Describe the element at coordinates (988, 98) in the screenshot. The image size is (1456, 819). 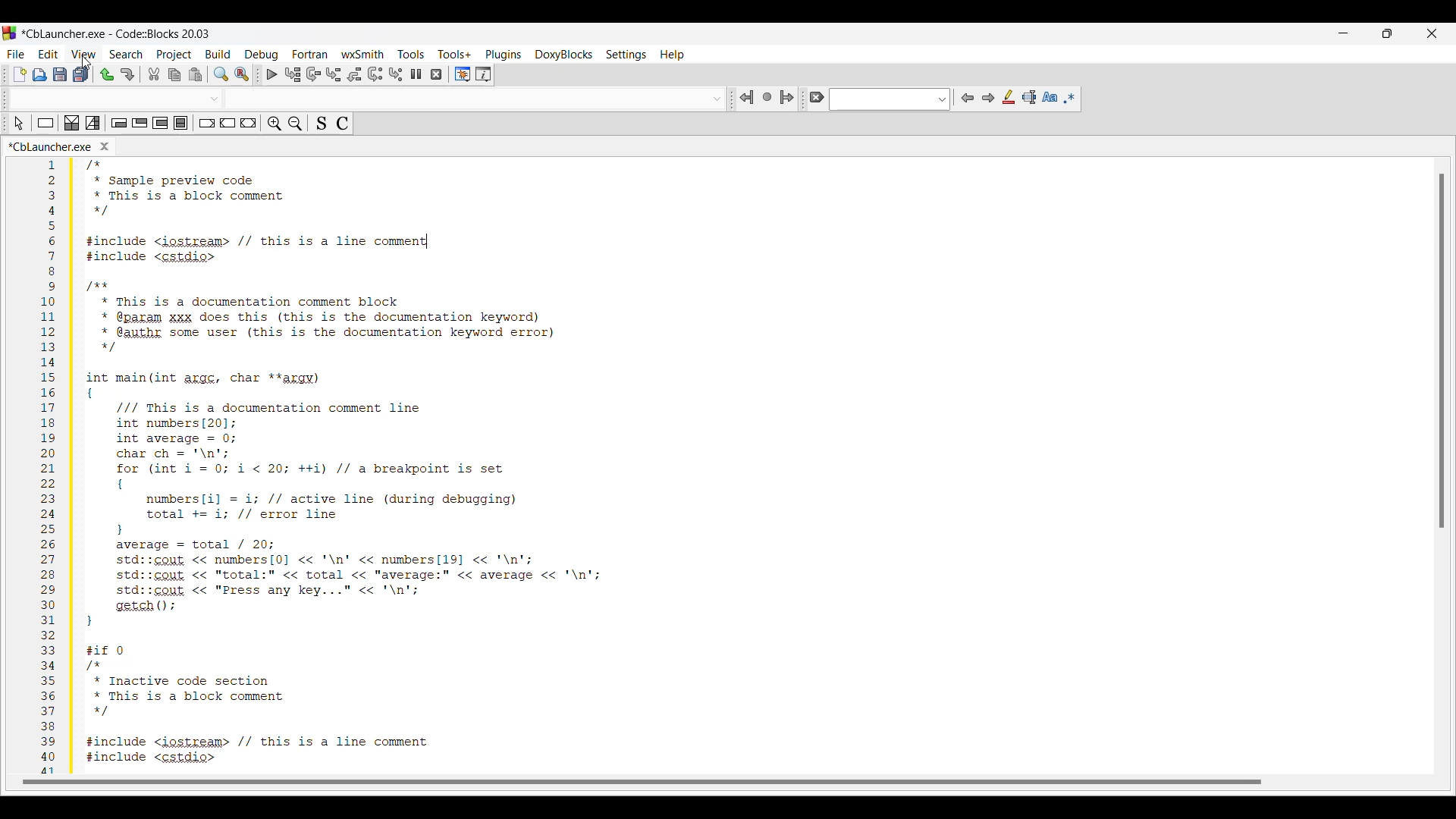
I see `Next` at that location.